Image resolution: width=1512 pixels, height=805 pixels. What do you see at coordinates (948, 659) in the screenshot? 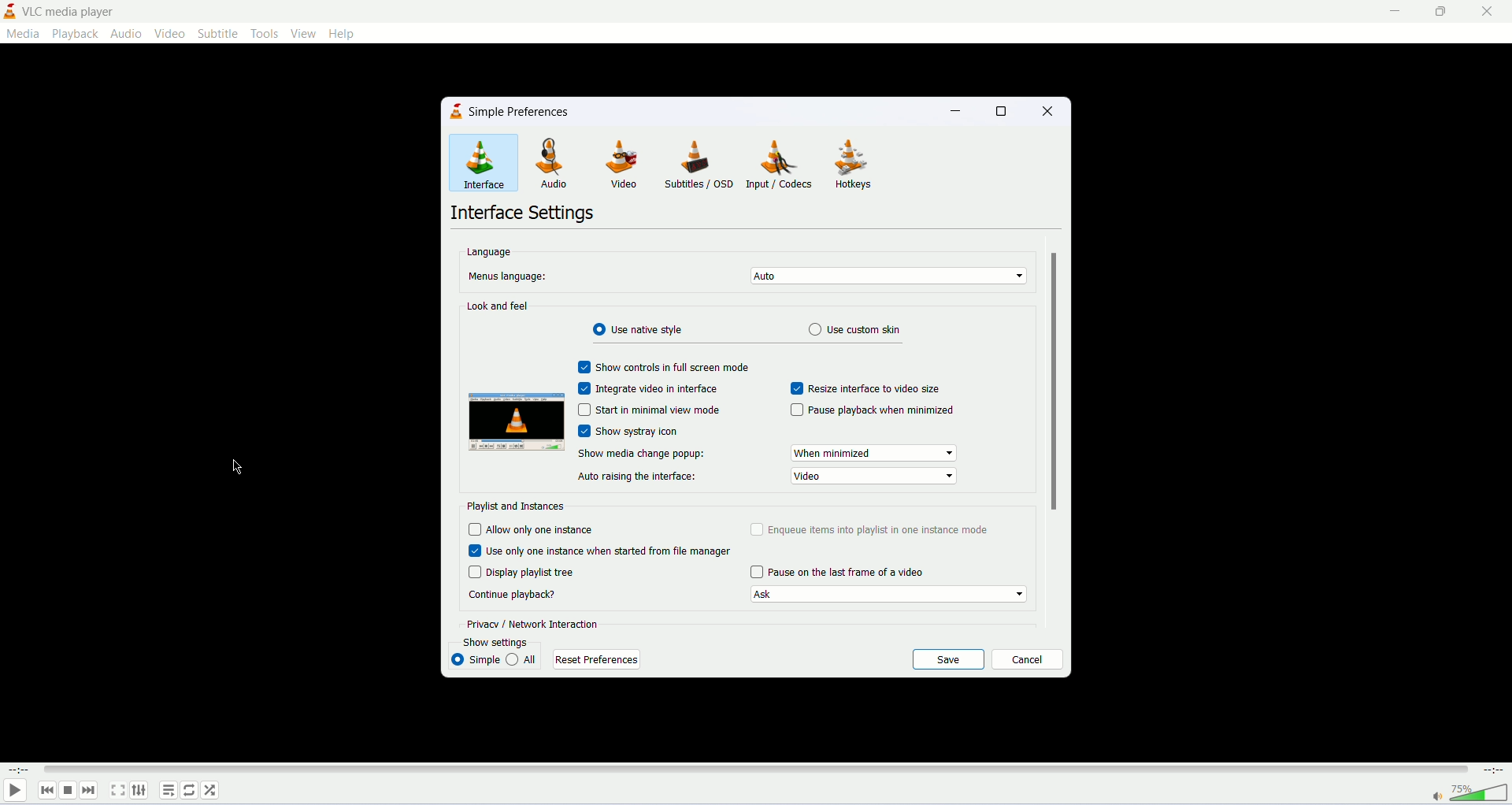
I see `save` at bounding box center [948, 659].